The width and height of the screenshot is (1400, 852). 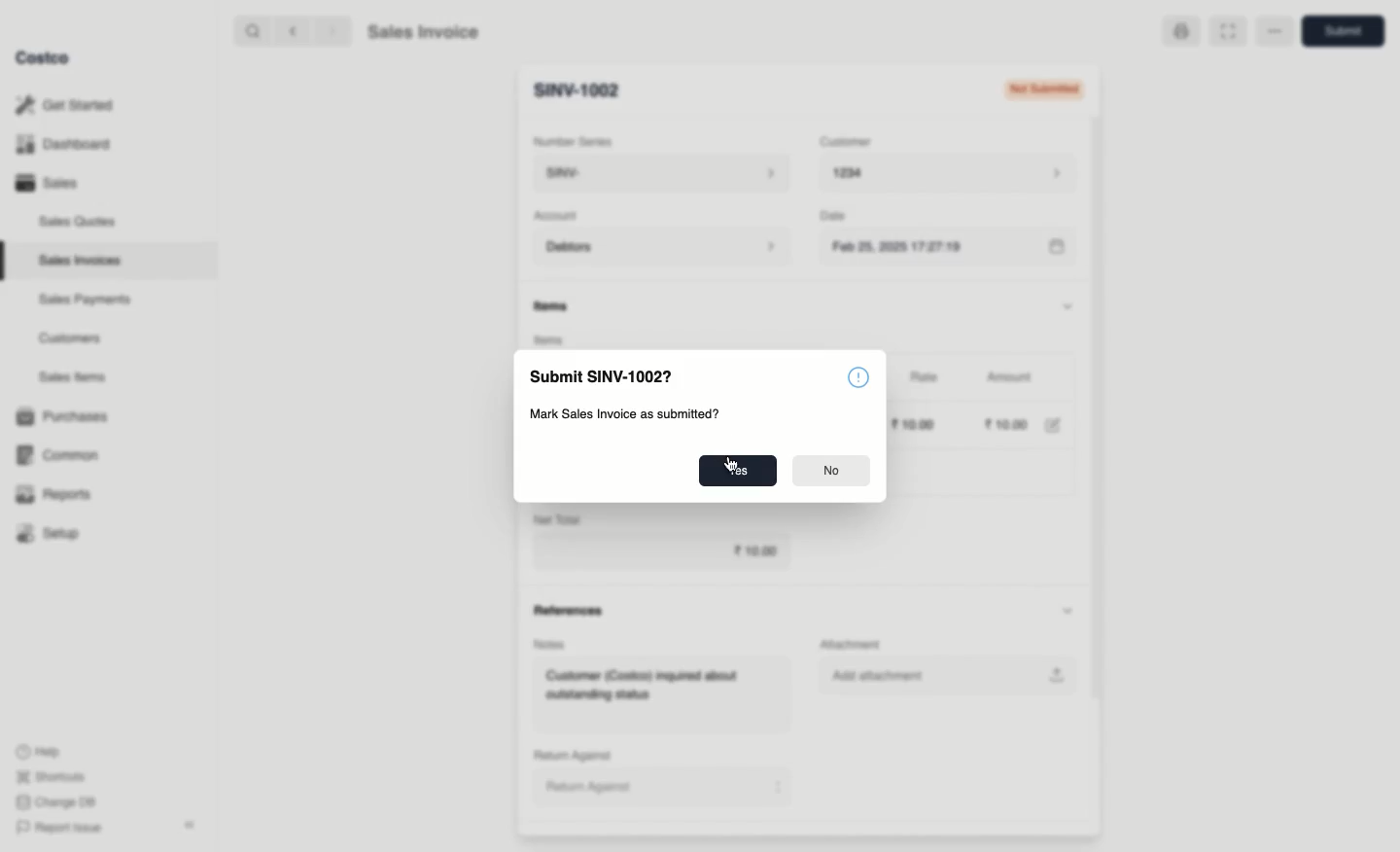 What do you see at coordinates (951, 250) in the screenshot?
I see `Feb 25, 2025 17:27:19` at bounding box center [951, 250].